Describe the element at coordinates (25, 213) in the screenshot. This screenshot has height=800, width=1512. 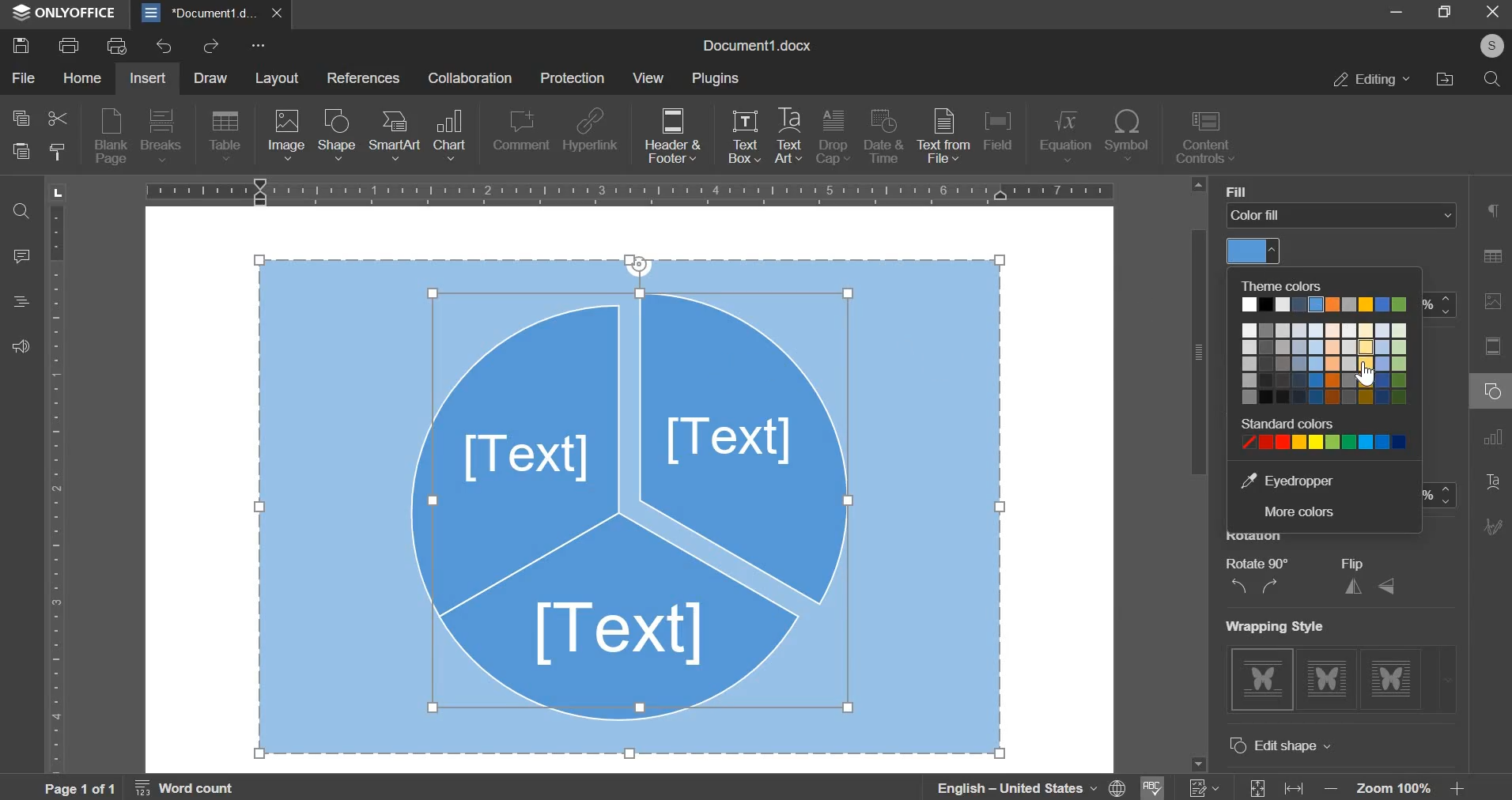
I see `Search and replace tool` at that location.